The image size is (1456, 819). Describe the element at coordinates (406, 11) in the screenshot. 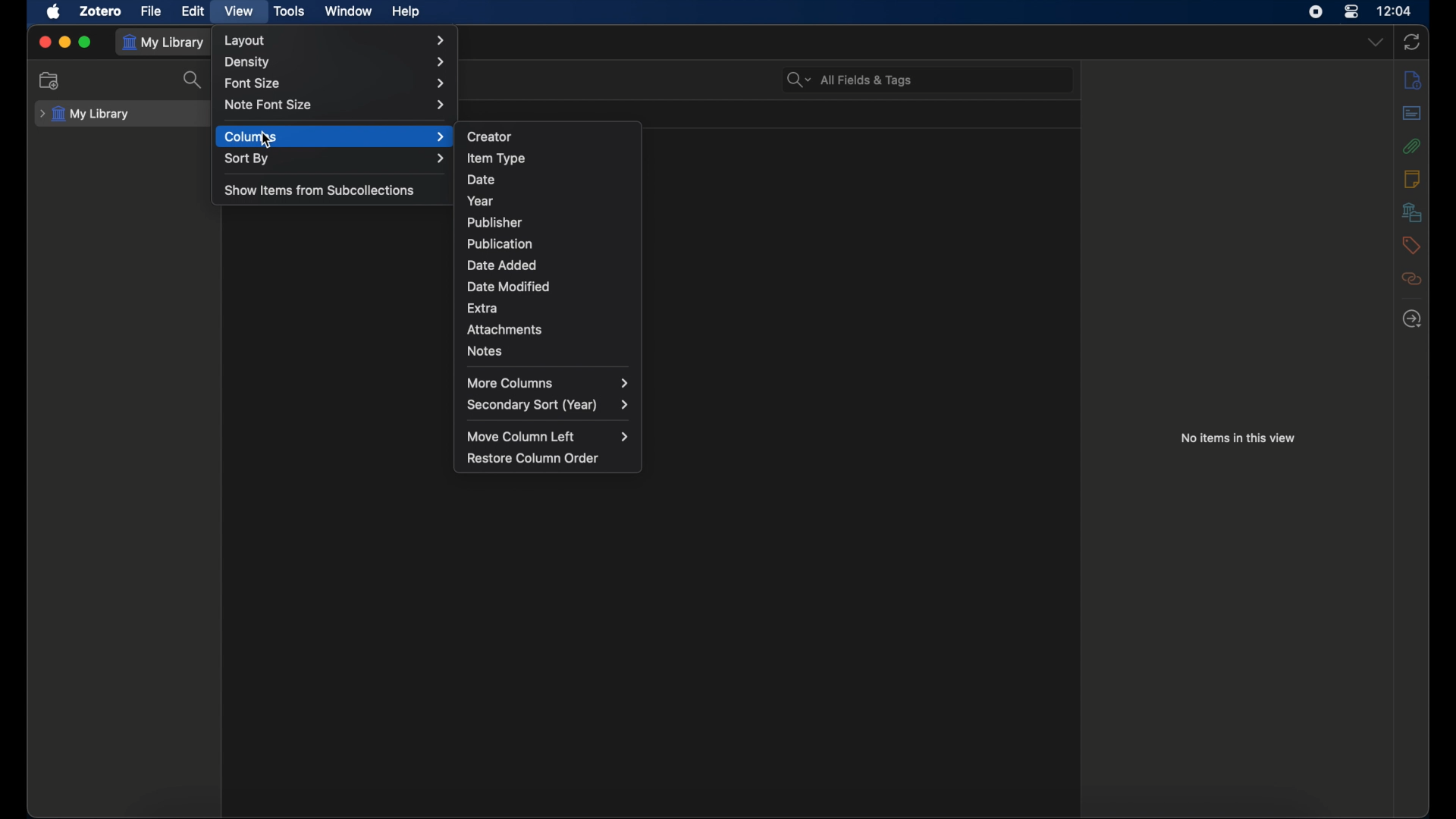

I see `help` at that location.